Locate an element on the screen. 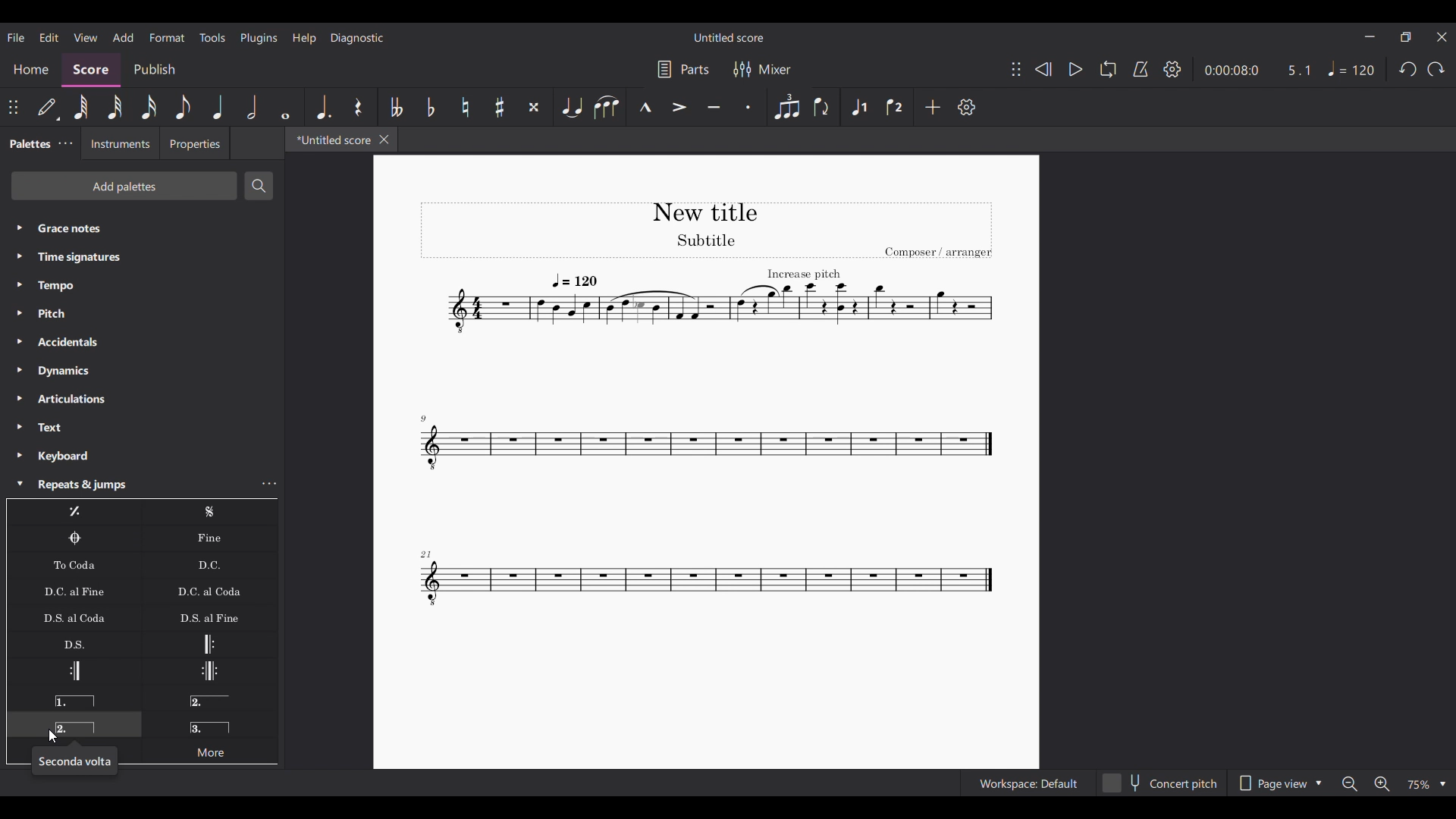 The image size is (1456, 819). Coda is located at coordinates (74, 538).